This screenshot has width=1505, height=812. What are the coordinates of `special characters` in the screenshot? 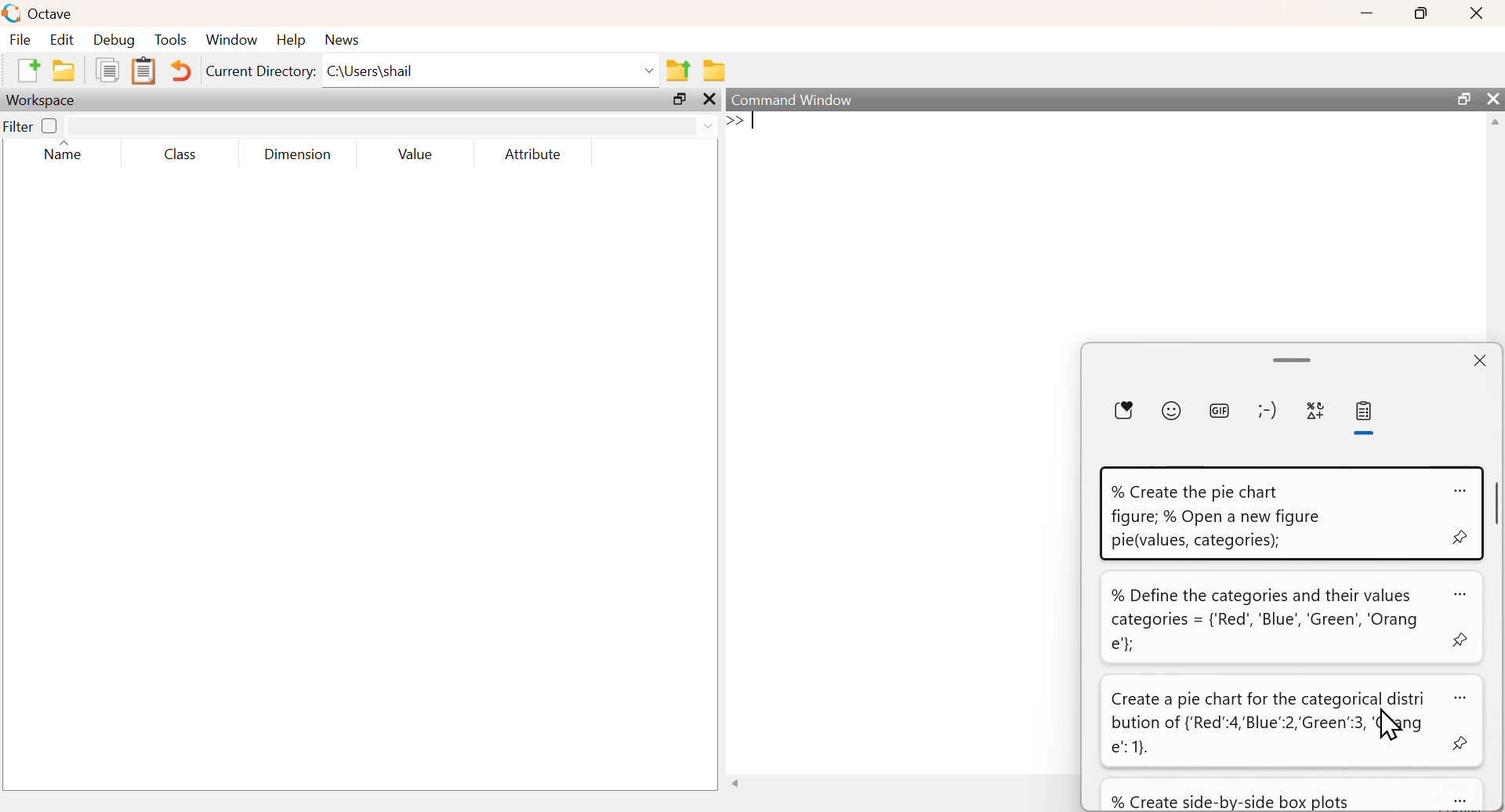 It's located at (1315, 410).